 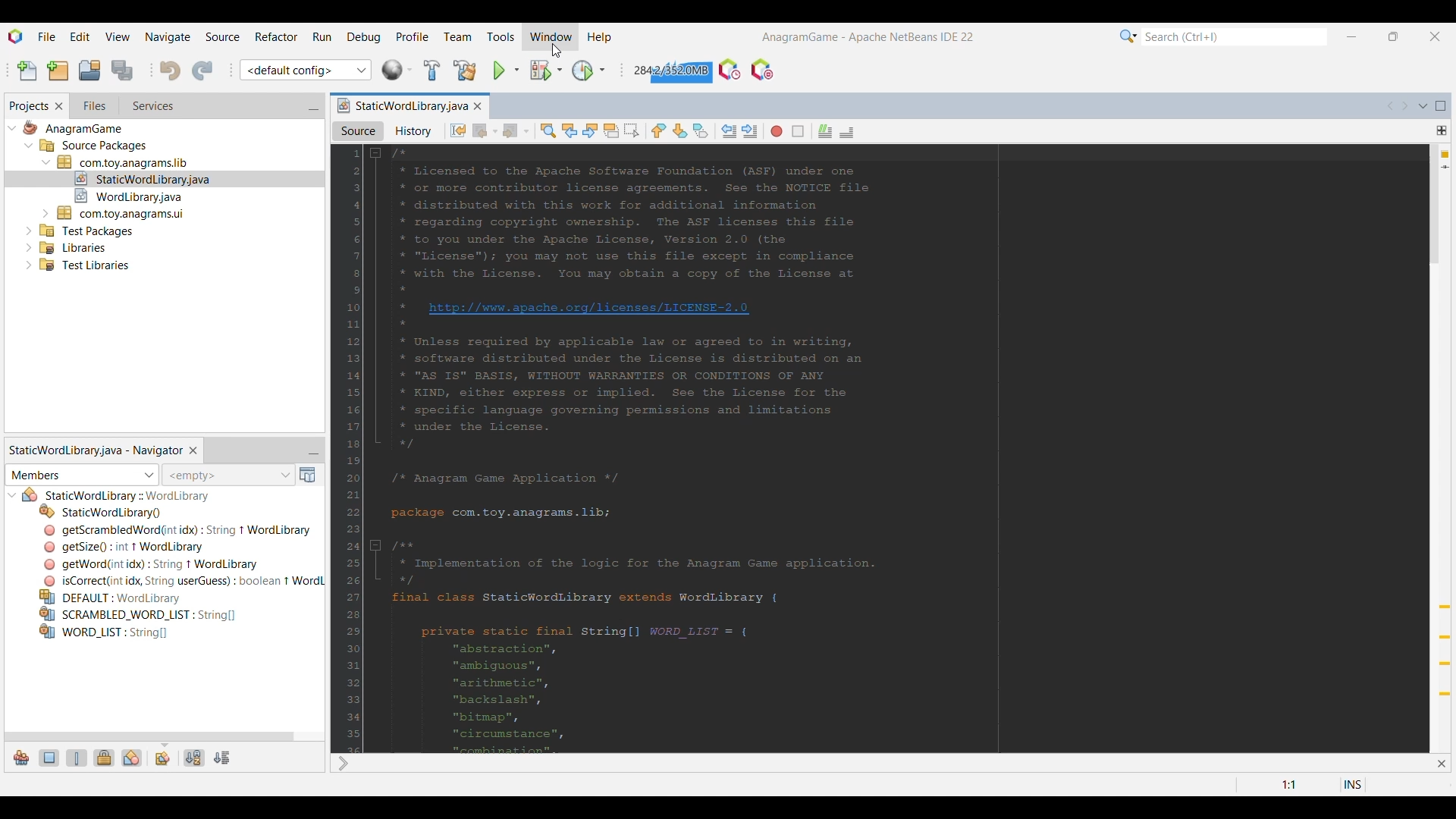 I want to click on File menu, so click(x=47, y=36).